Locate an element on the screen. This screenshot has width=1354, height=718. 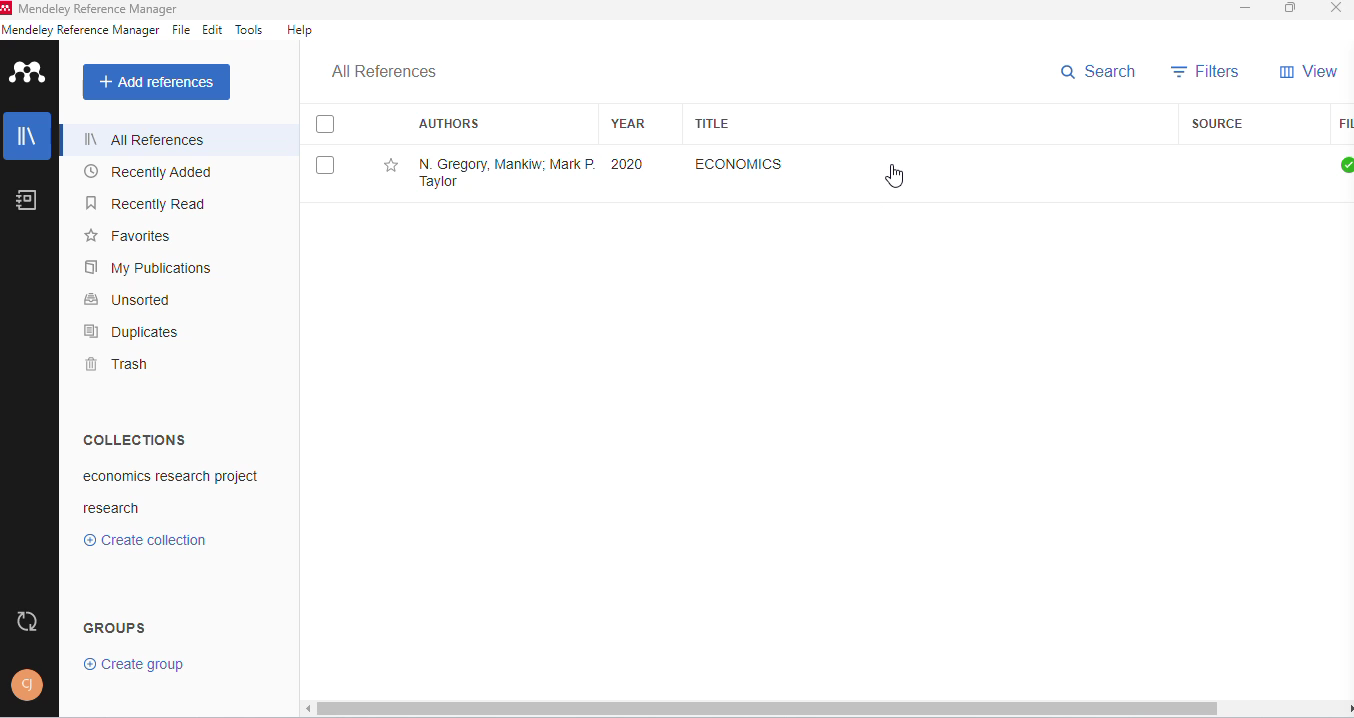
create group is located at coordinates (135, 664).